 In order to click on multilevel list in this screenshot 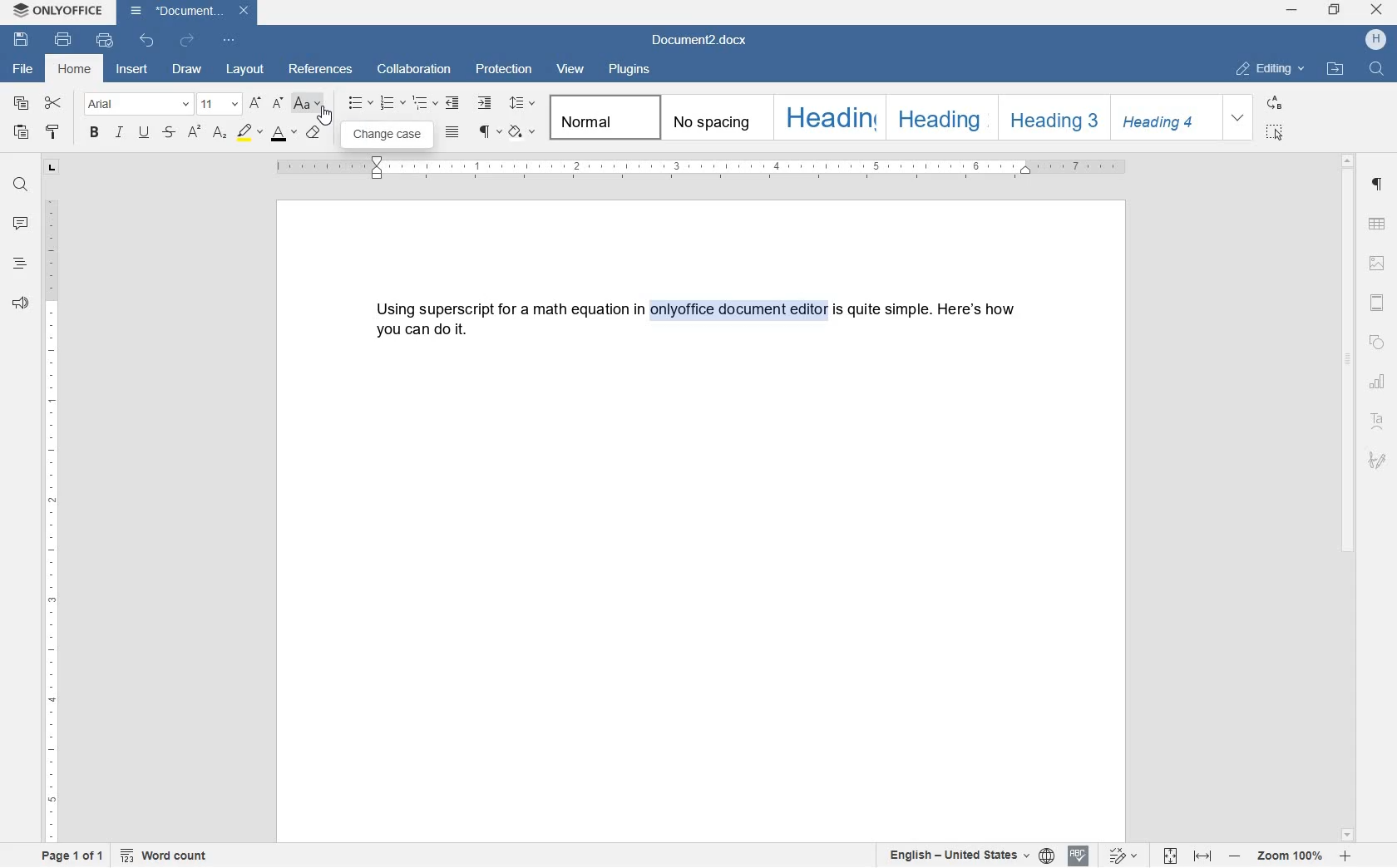, I will do `click(422, 104)`.